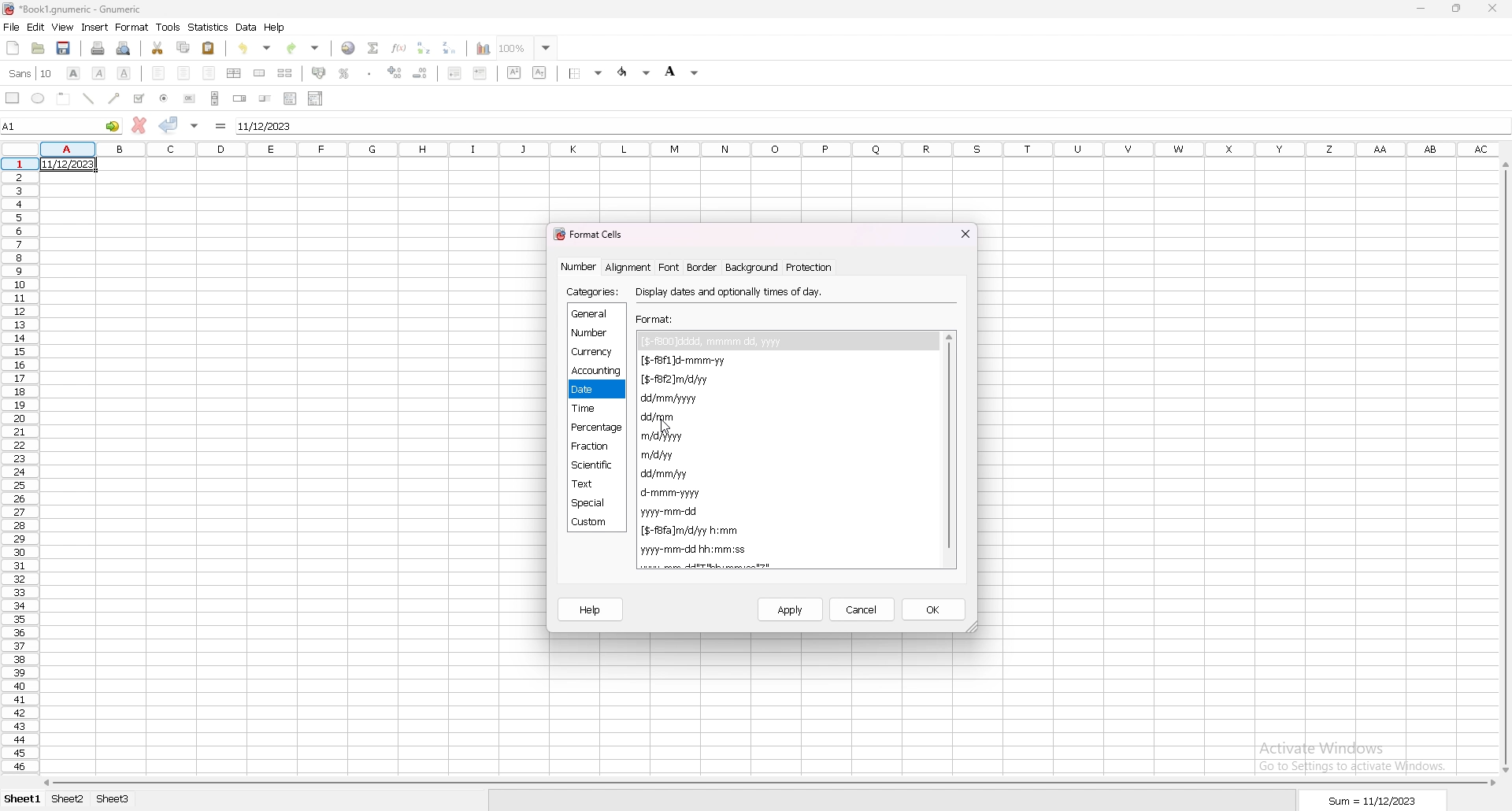 This screenshot has height=811, width=1512. What do you see at coordinates (189, 98) in the screenshot?
I see `button` at bounding box center [189, 98].